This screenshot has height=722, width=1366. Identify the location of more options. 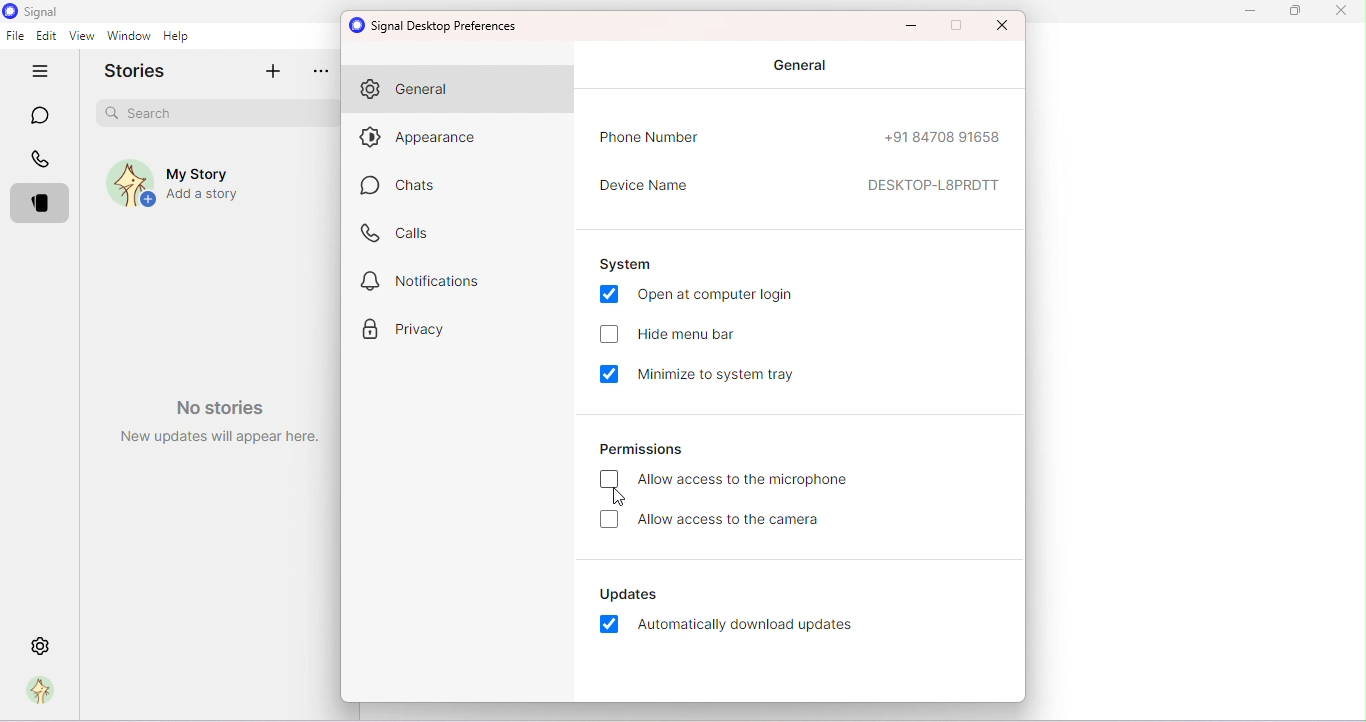
(324, 70).